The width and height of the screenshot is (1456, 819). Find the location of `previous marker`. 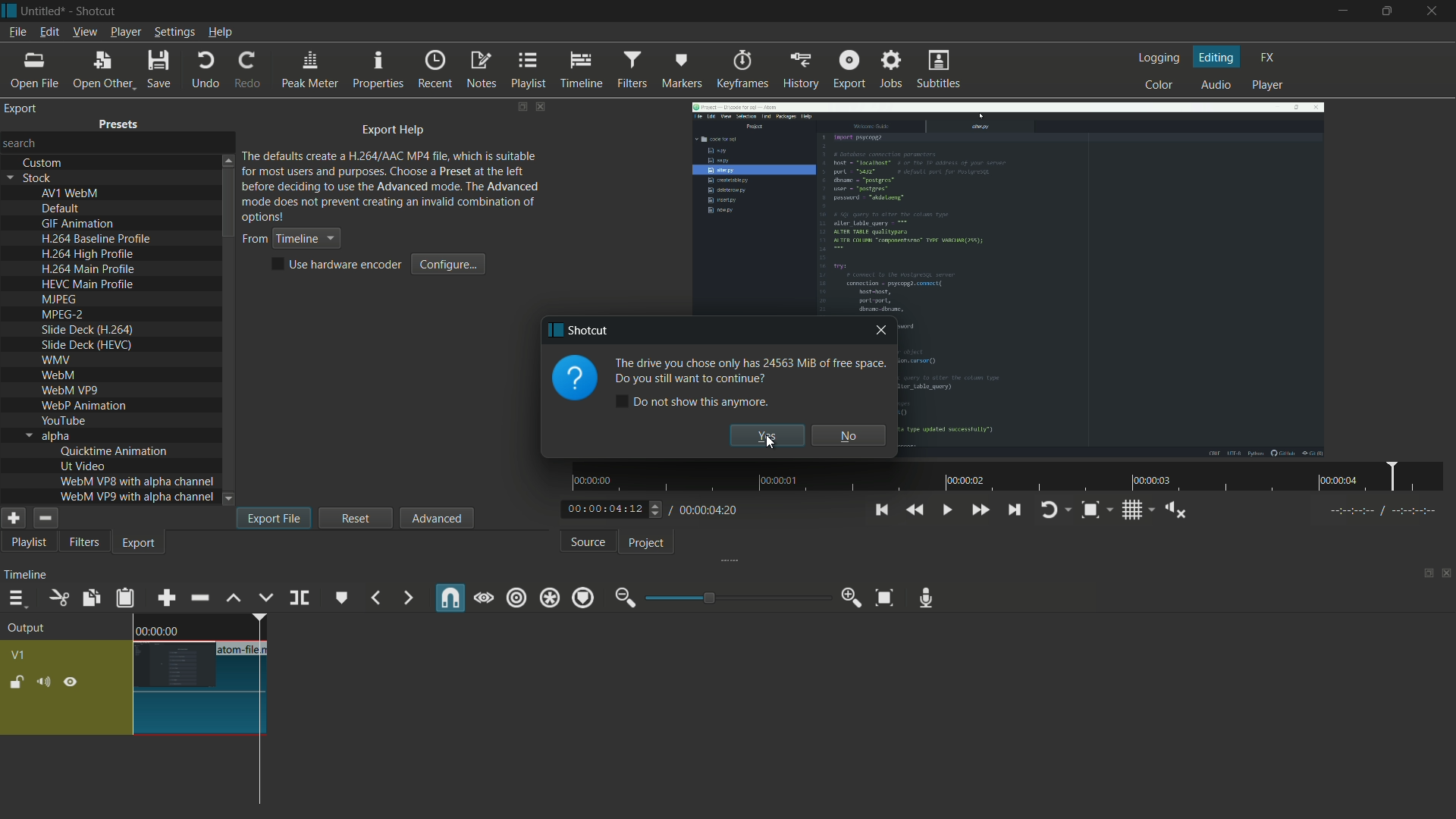

previous marker is located at coordinates (374, 599).